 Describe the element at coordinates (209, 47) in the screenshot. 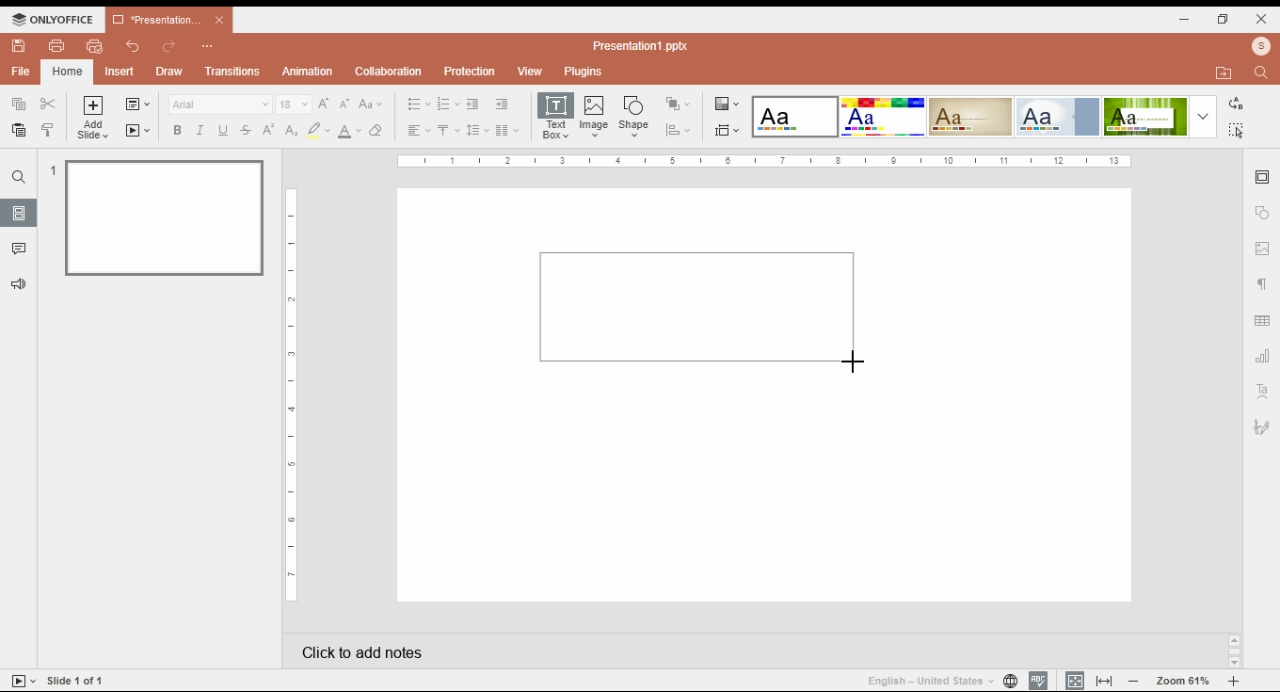

I see `customize quick access` at that location.